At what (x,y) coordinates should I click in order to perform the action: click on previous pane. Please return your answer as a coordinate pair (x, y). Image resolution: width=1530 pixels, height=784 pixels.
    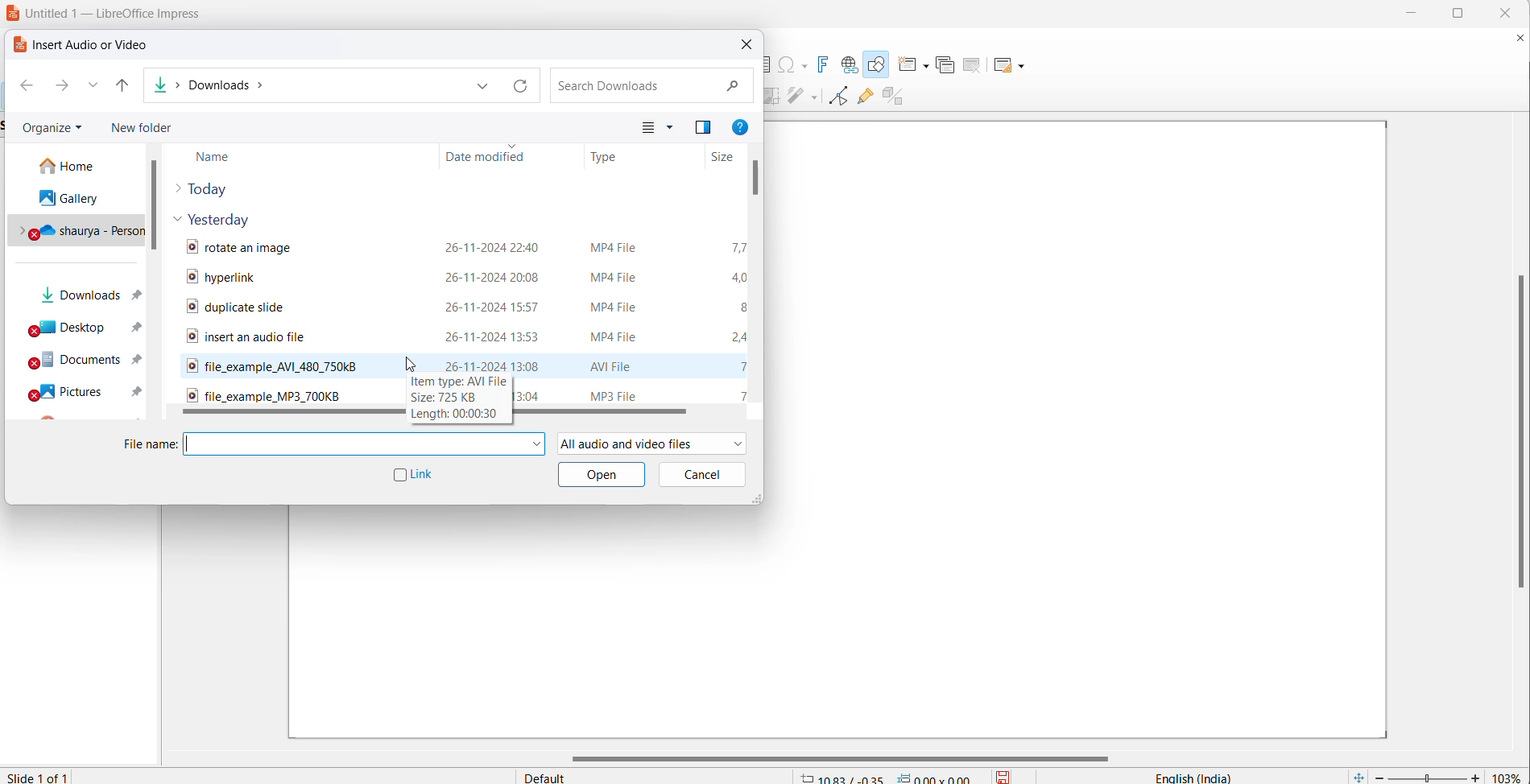
    Looking at the image, I should click on (707, 126).